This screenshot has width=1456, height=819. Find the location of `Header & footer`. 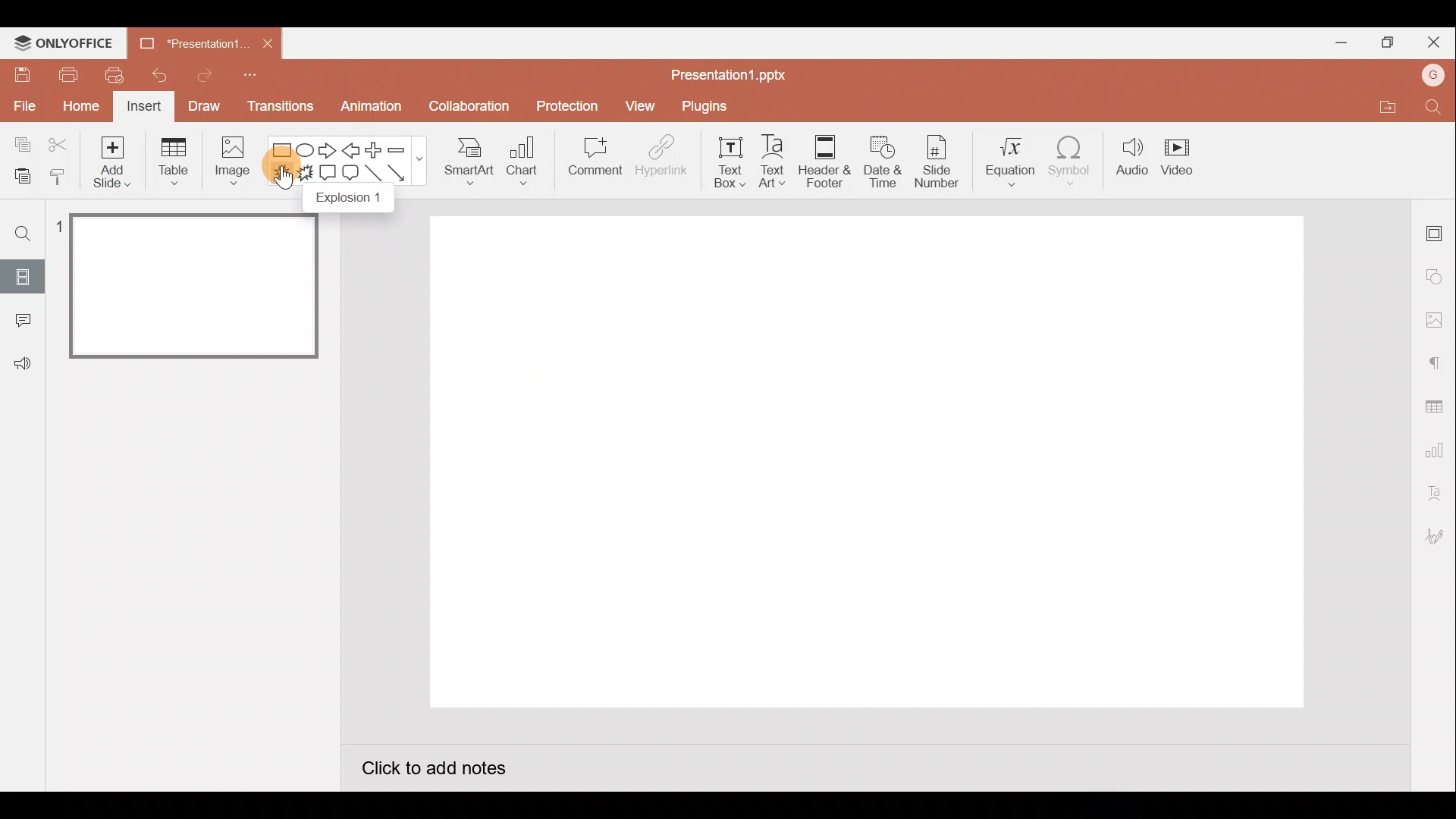

Header & footer is located at coordinates (824, 162).